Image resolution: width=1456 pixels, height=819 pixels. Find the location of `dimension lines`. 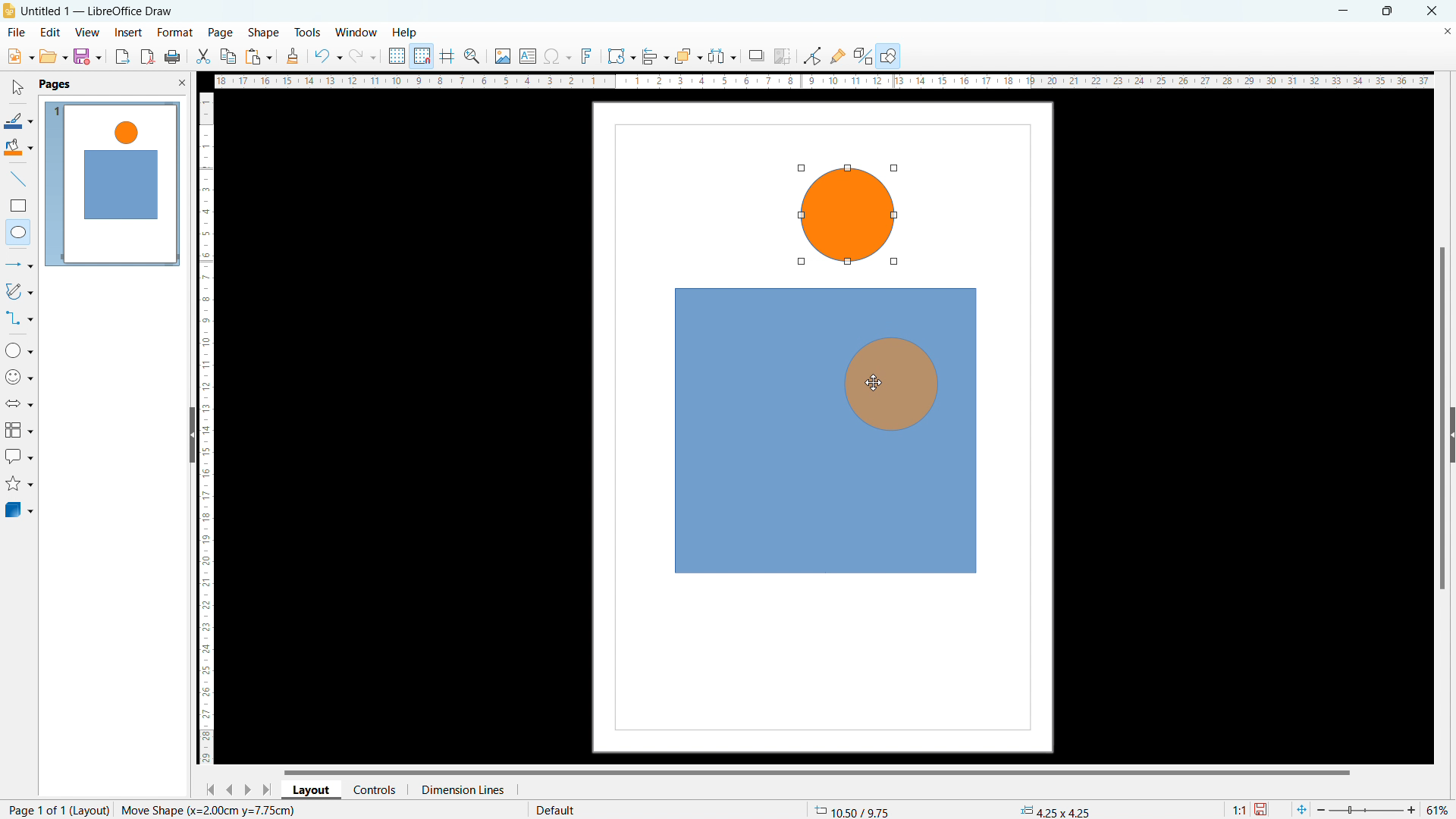

dimension lines is located at coordinates (462, 789).